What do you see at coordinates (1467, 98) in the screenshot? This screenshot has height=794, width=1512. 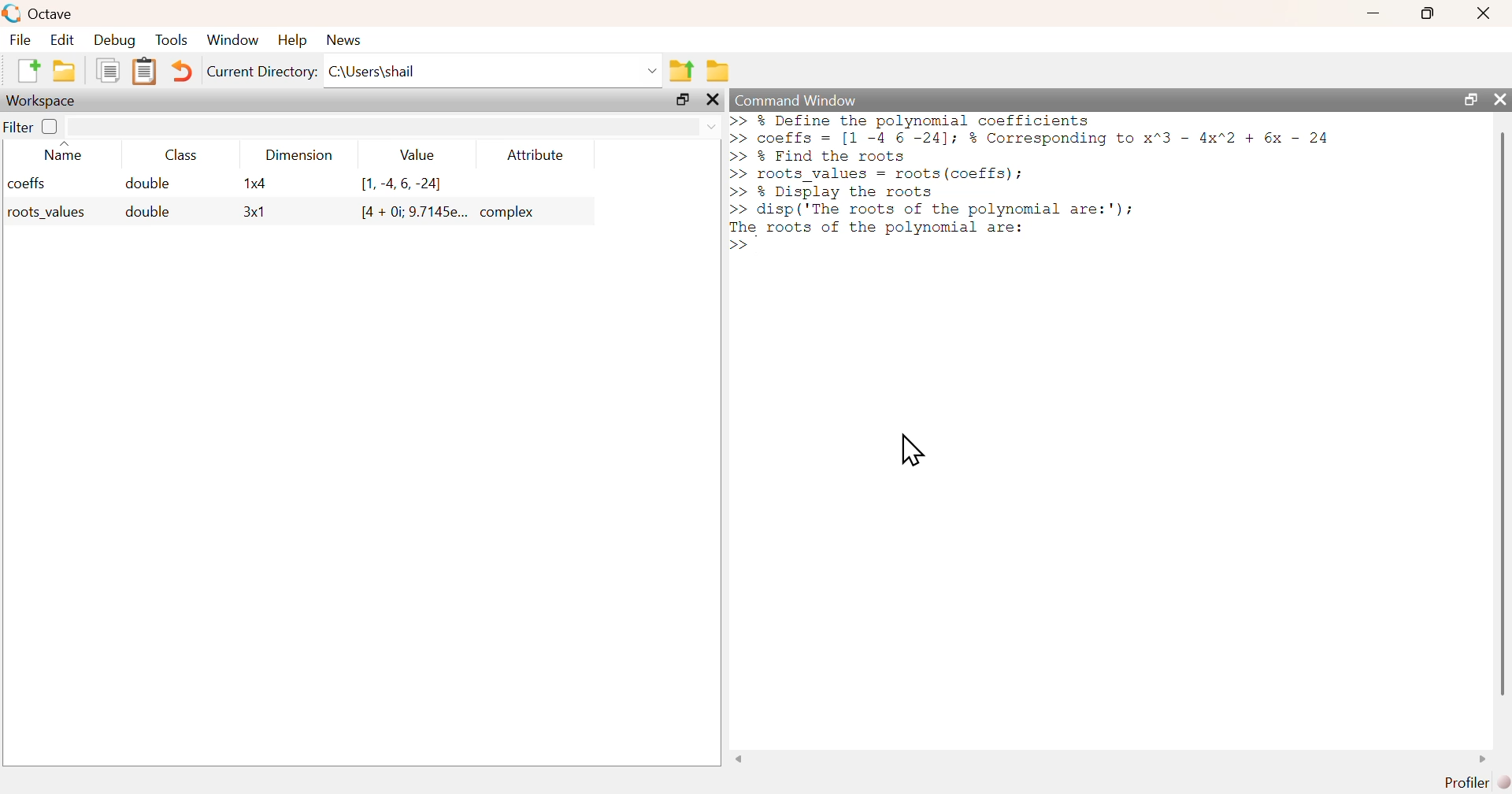 I see `maximize` at bounding box center [1467, 98].